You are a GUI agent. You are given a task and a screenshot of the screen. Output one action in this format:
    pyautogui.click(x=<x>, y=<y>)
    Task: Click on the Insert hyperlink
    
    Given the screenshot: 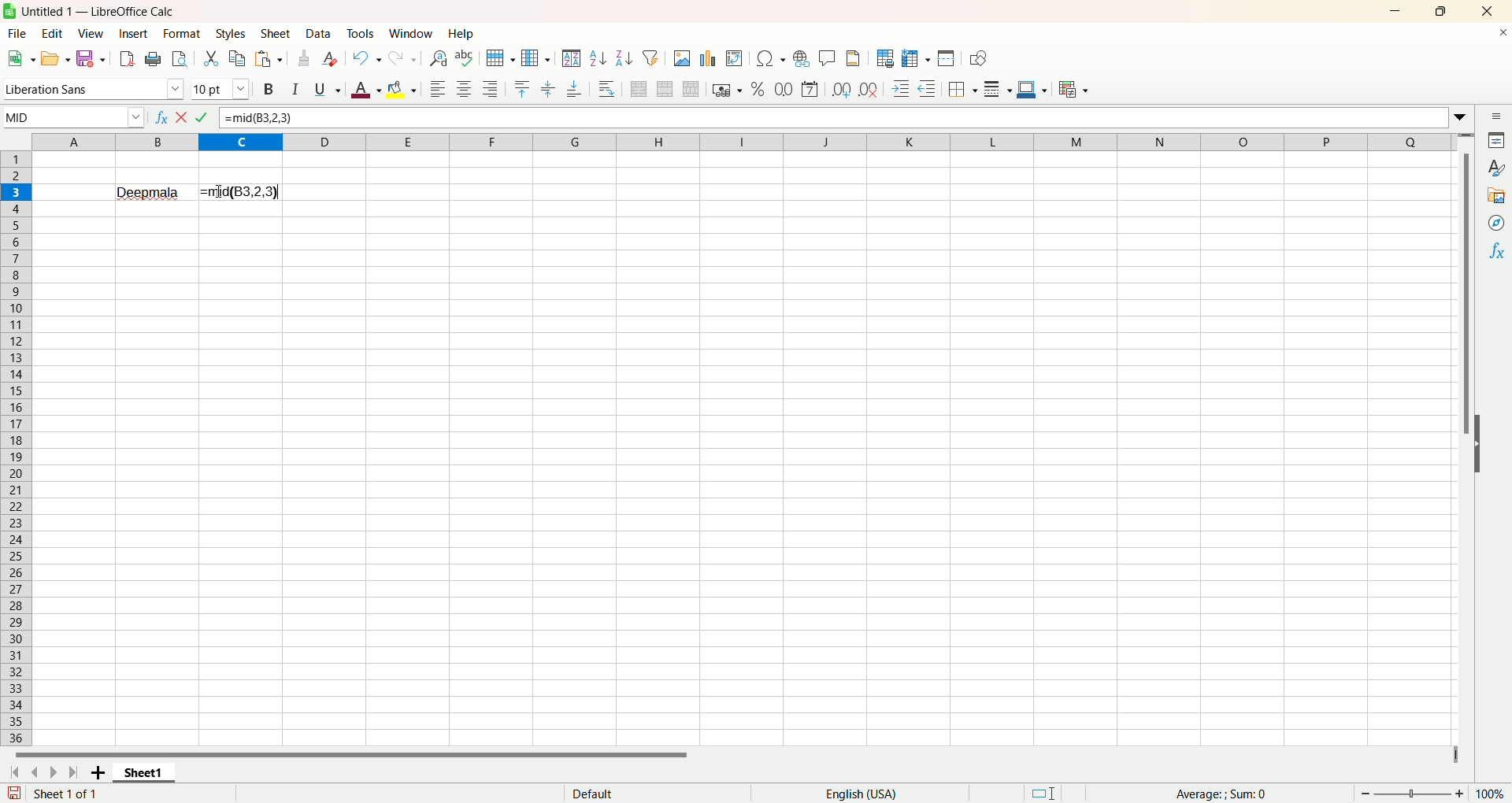 What is the action you would take?
    pyautogui.click(x=801, y=57)
    